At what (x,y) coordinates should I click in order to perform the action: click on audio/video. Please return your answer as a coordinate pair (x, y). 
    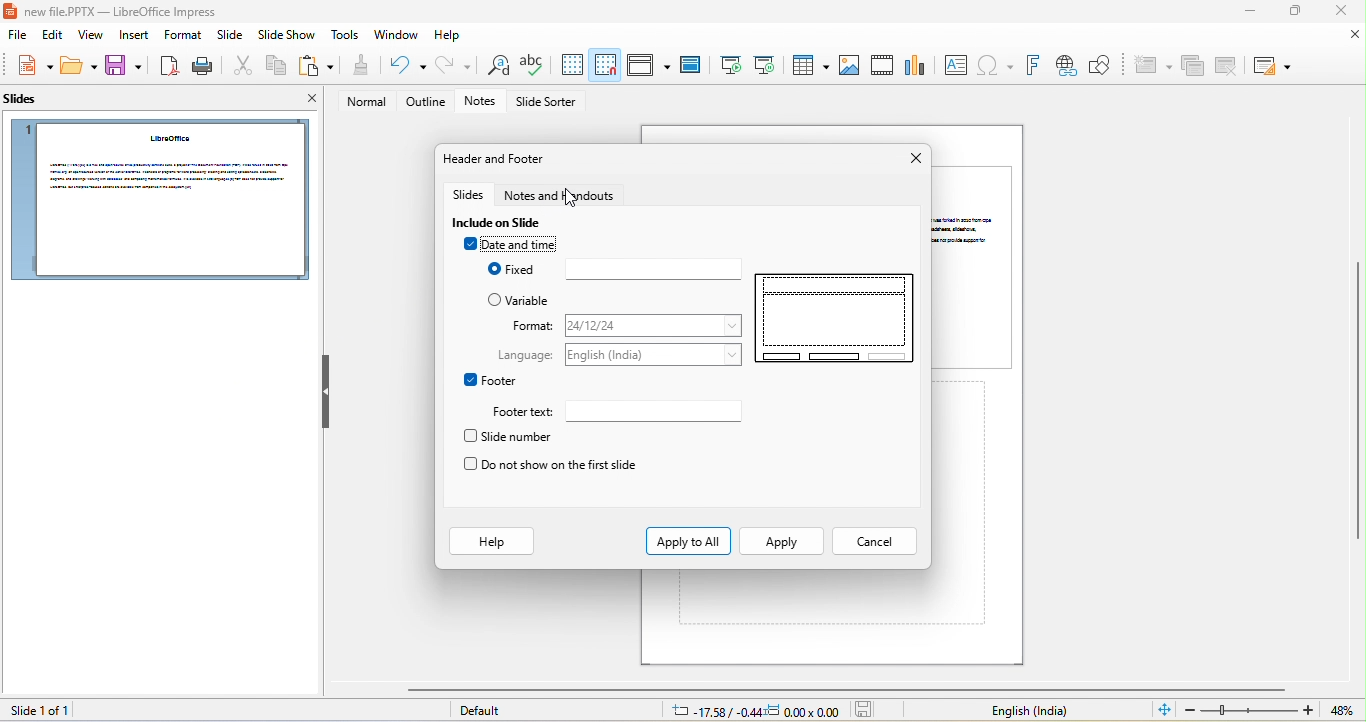
    Looking at the image, I should click on (884, 65).